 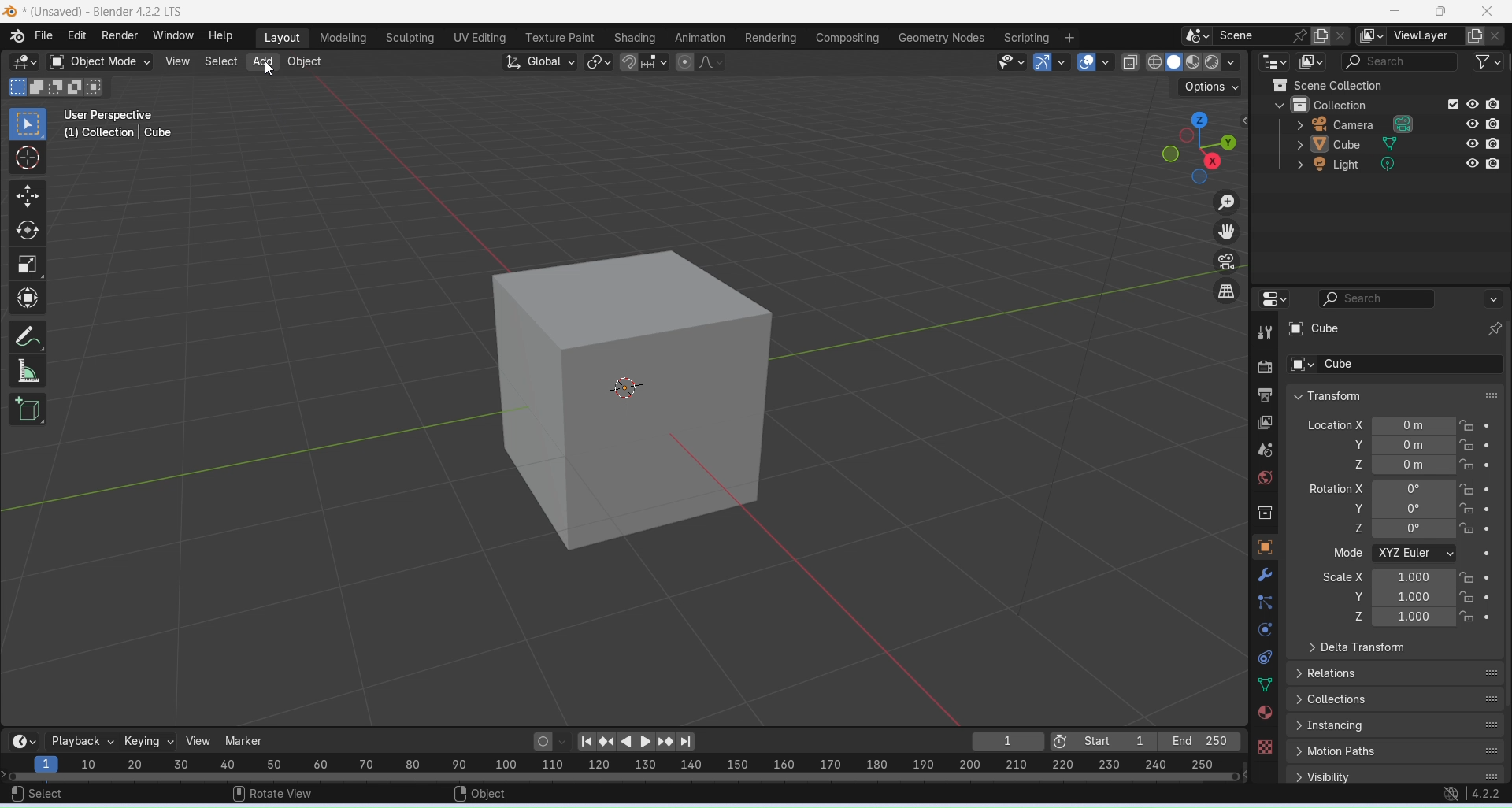 What do you see at coordinates (636, 764) in the screenshot?
I see `scale` at bounding box center [636, 764].